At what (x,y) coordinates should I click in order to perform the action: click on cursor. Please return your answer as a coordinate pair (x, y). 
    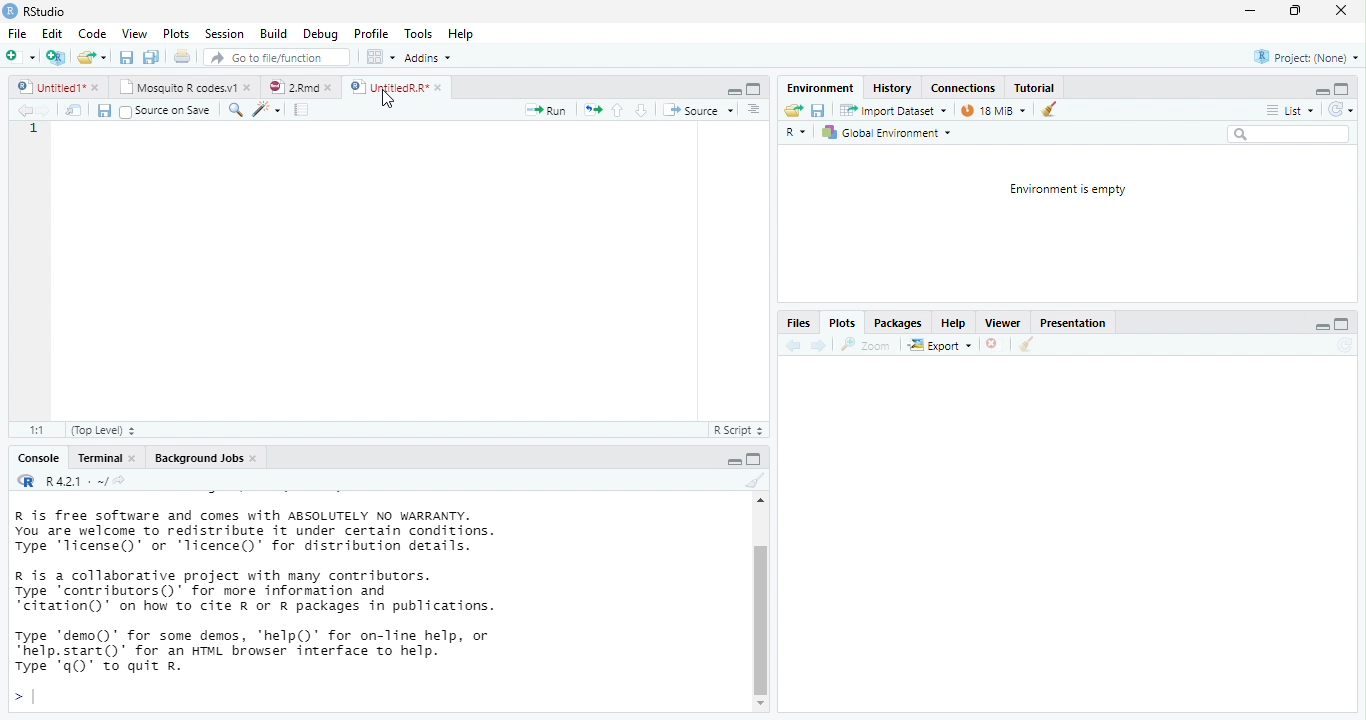
    Looking at the image, I should click on (389, 100).